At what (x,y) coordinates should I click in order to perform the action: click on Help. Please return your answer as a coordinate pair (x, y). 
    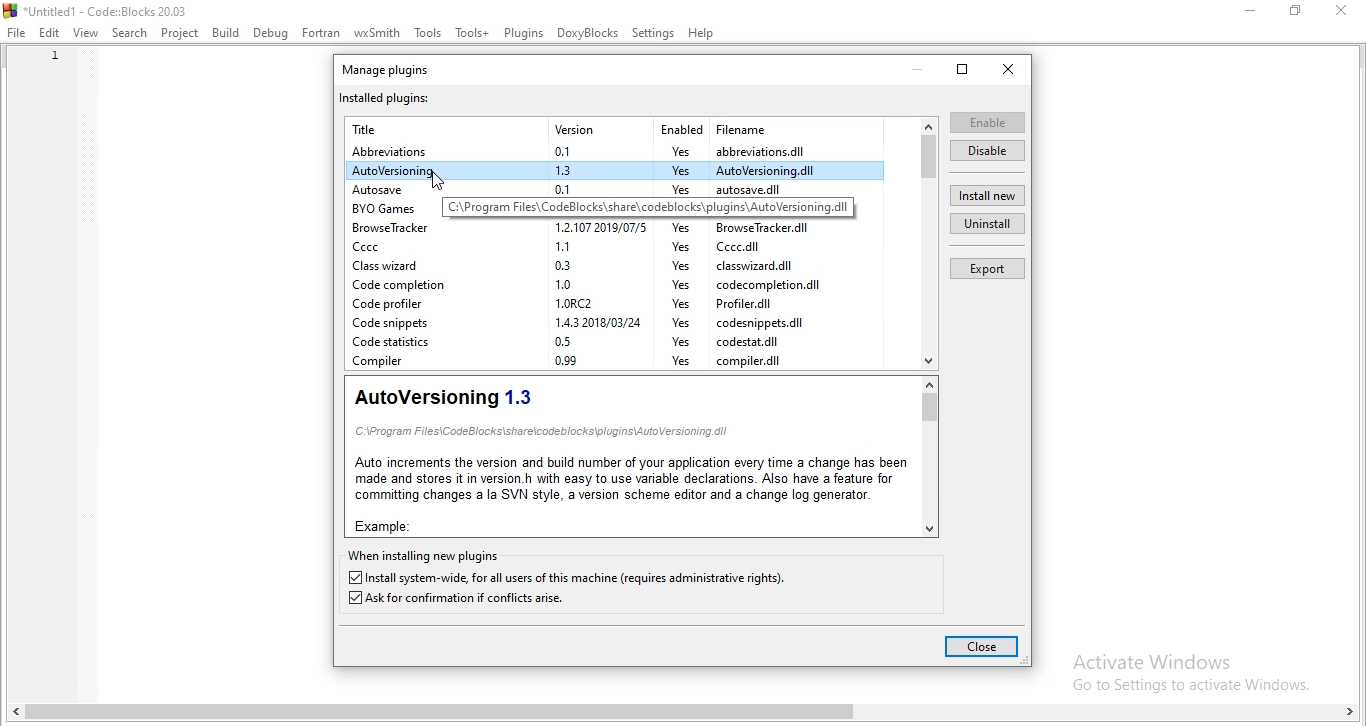
    Looking at the image, I should click on (702, 32).